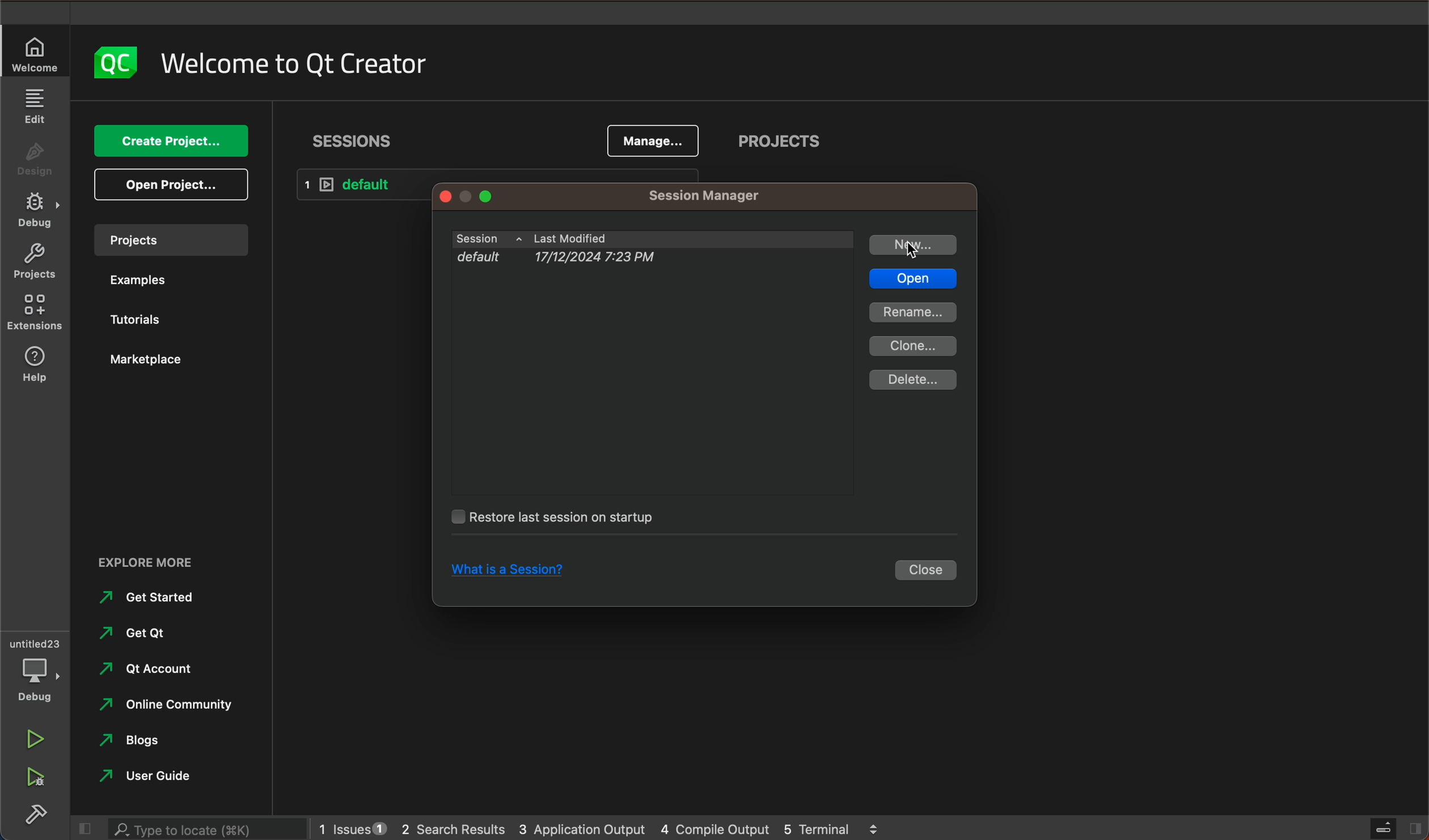  I want to click on rename, so click(912, 312).